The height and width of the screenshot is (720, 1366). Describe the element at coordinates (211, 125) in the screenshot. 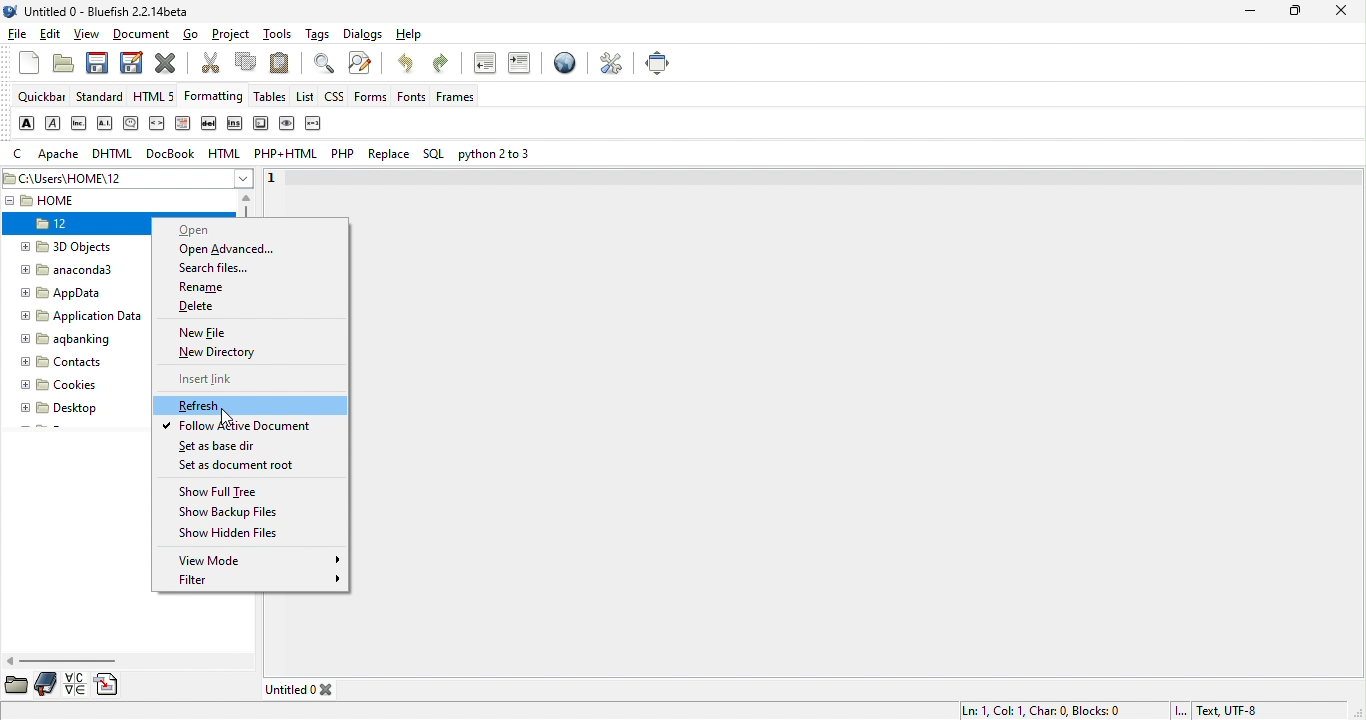

I see `delete` at that location.